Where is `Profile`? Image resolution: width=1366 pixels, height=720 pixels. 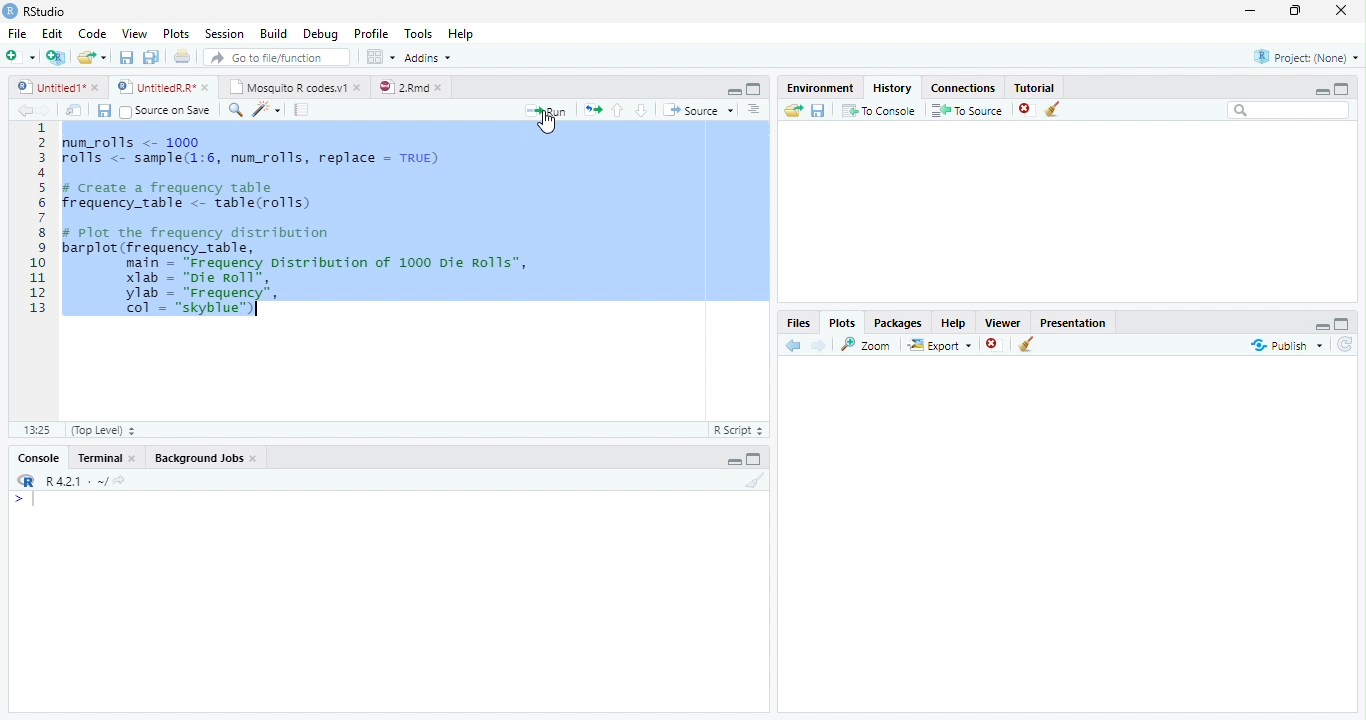 Profile is located at coordinates (374, 33).